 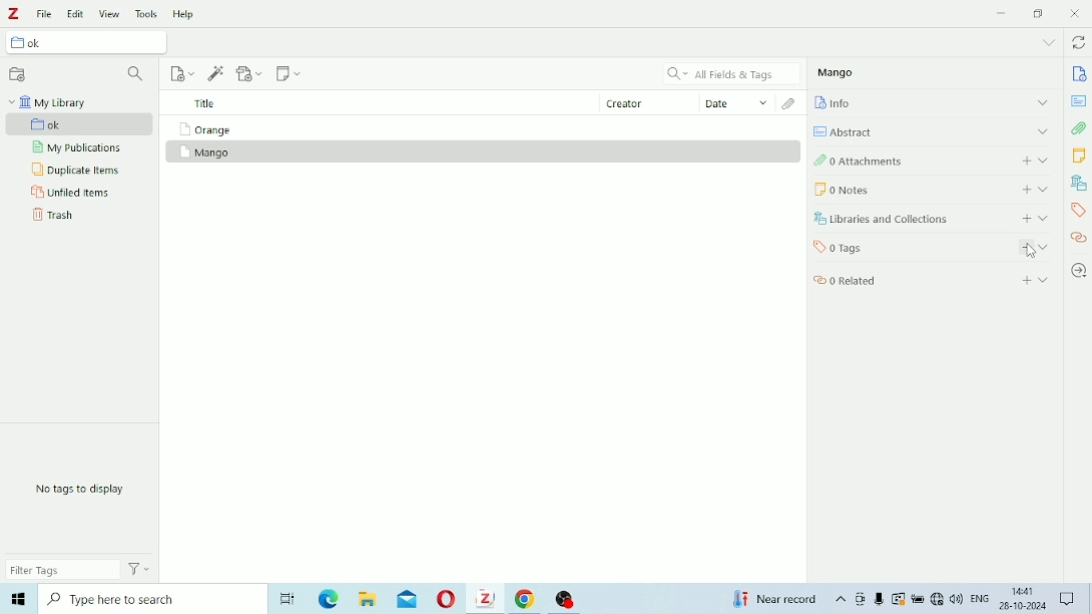 I want to click on Notes, so click(x=1078, y=157).